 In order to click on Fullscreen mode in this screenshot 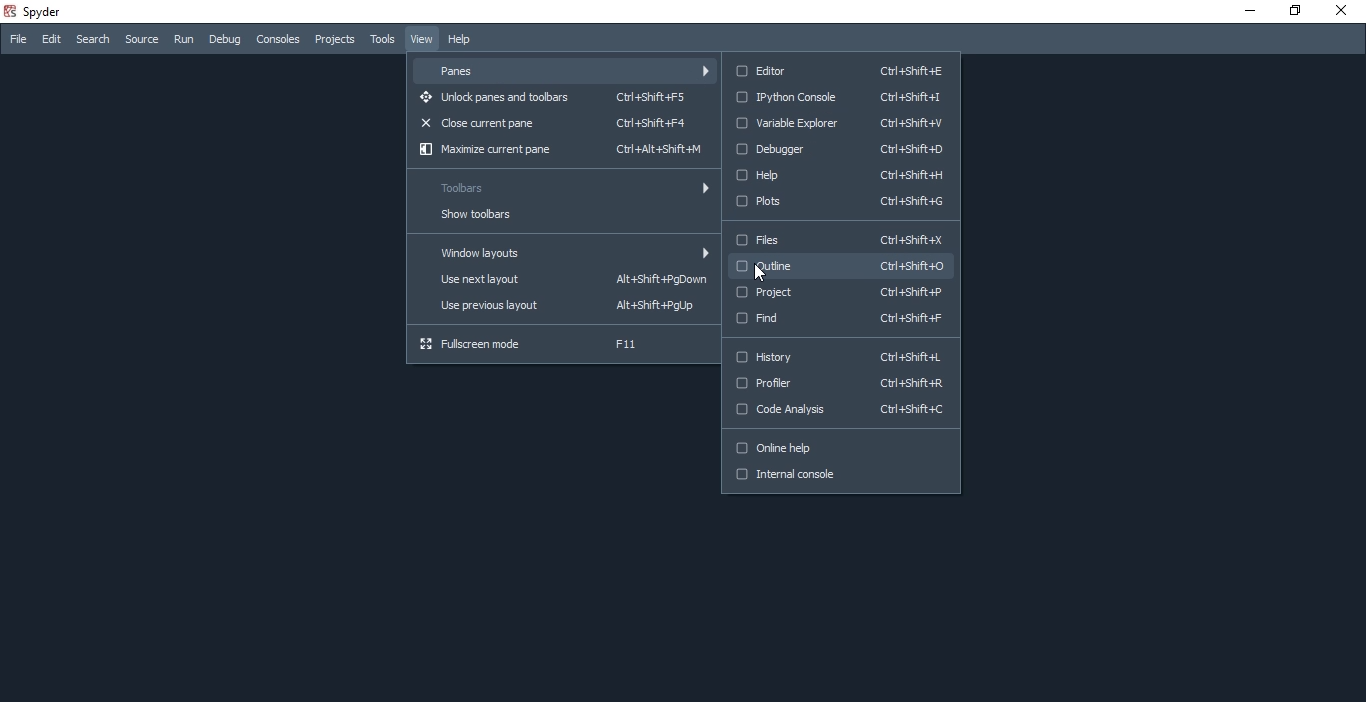, I will do `click(562, 345)`.